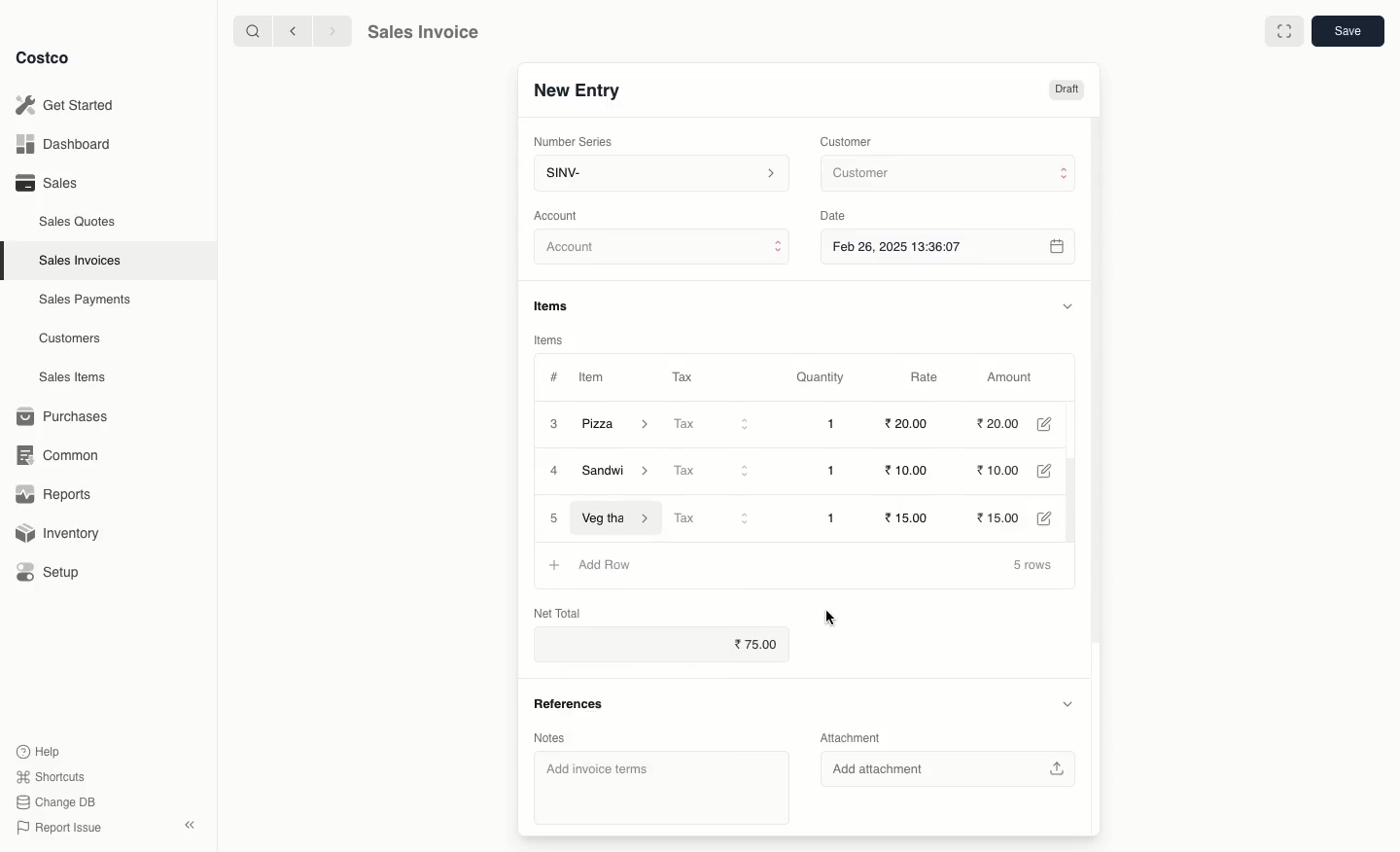 Image resolution: width=1400 pixels, height=852 pixels. I want to click on Get Started, so click(64, 104).